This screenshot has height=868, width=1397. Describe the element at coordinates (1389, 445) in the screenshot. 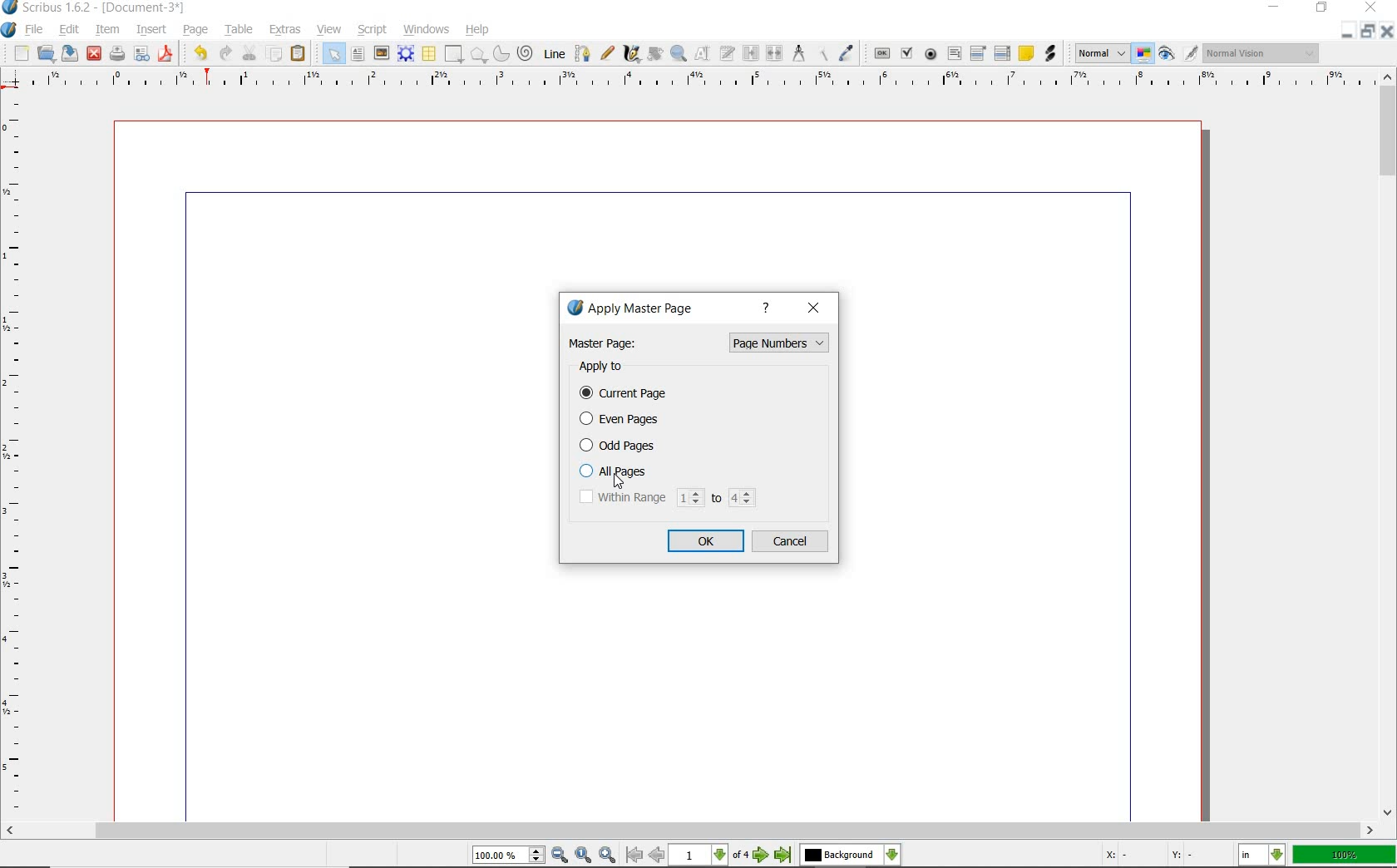

I see `scrollbar` at that location.